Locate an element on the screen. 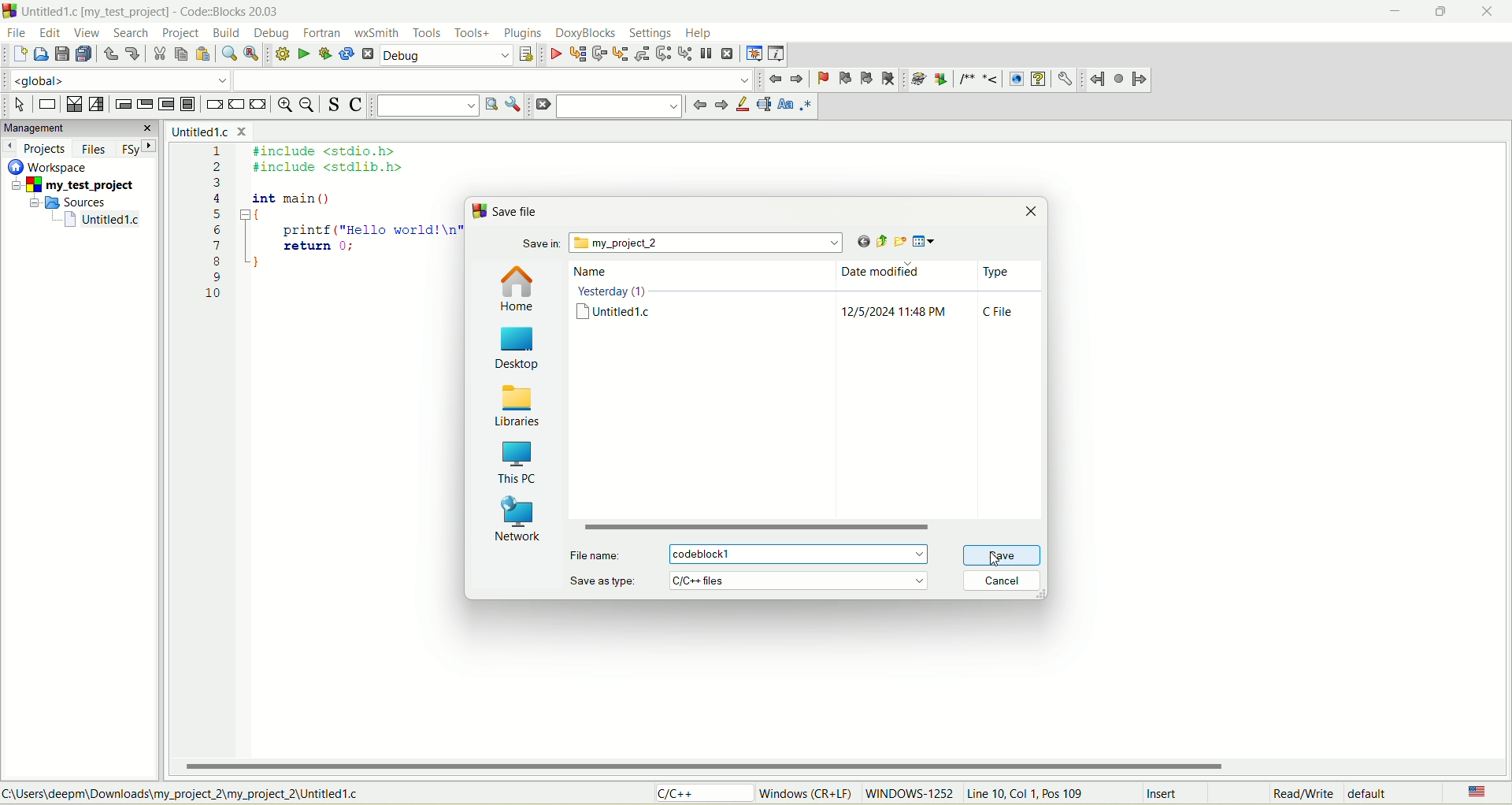 The image size is (1512, 805). paste is located at coordinates (202, 54).